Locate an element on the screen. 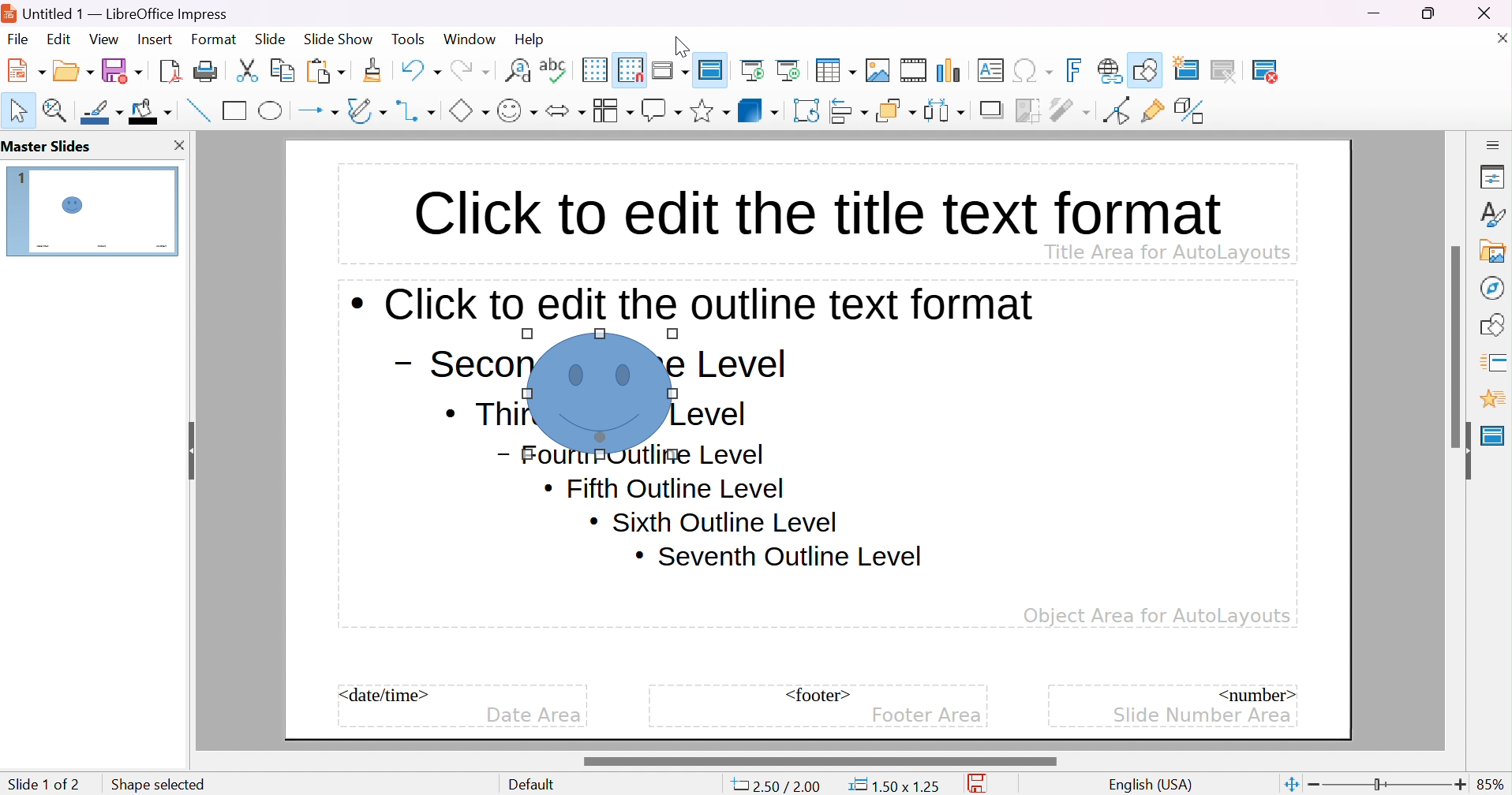 This screenshot has height=795, width=1512. -0.96/0.09 is located at coordinates (783, 786).